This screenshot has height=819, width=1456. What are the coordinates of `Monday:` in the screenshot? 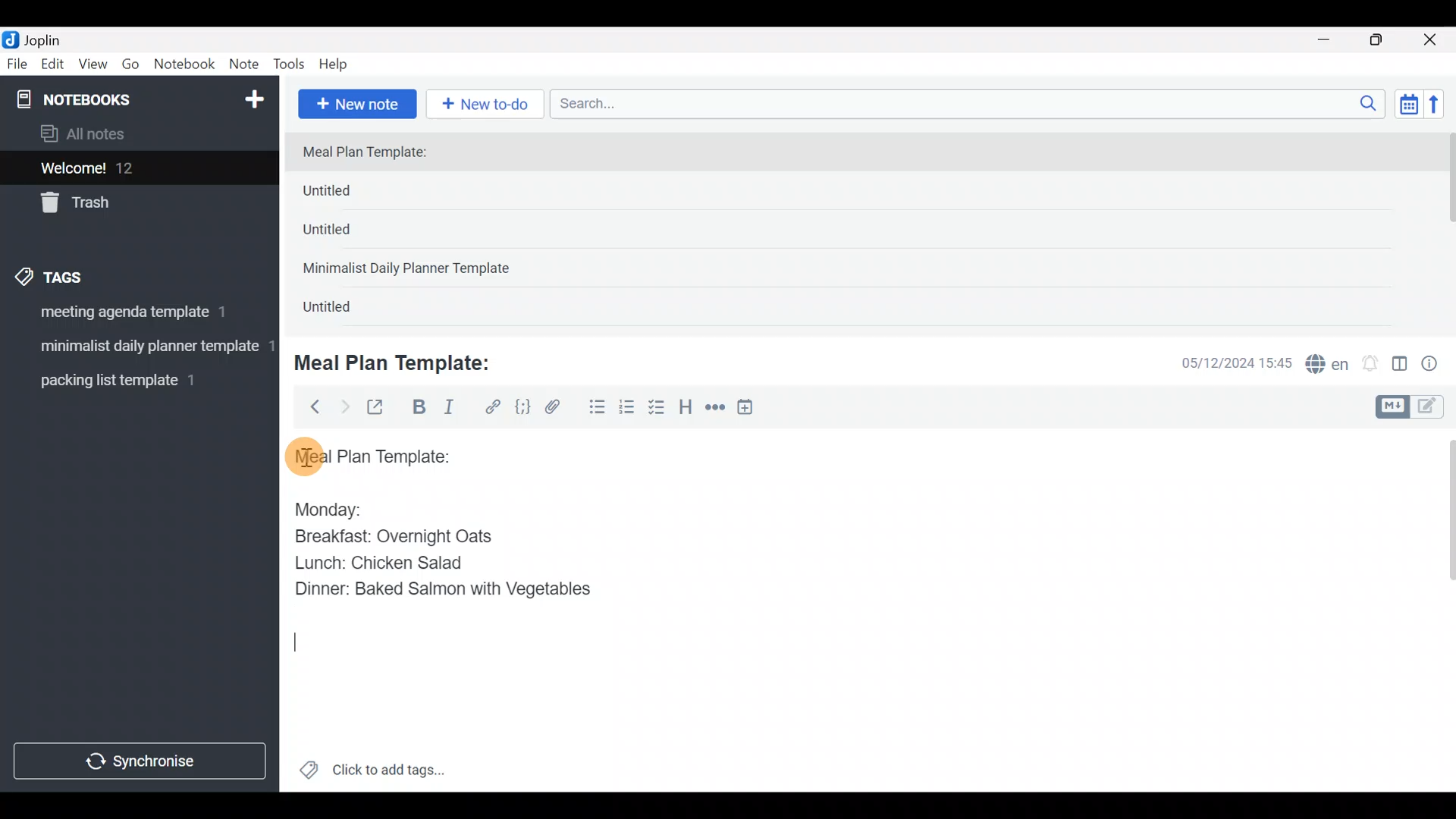 It's located at (318, 507).